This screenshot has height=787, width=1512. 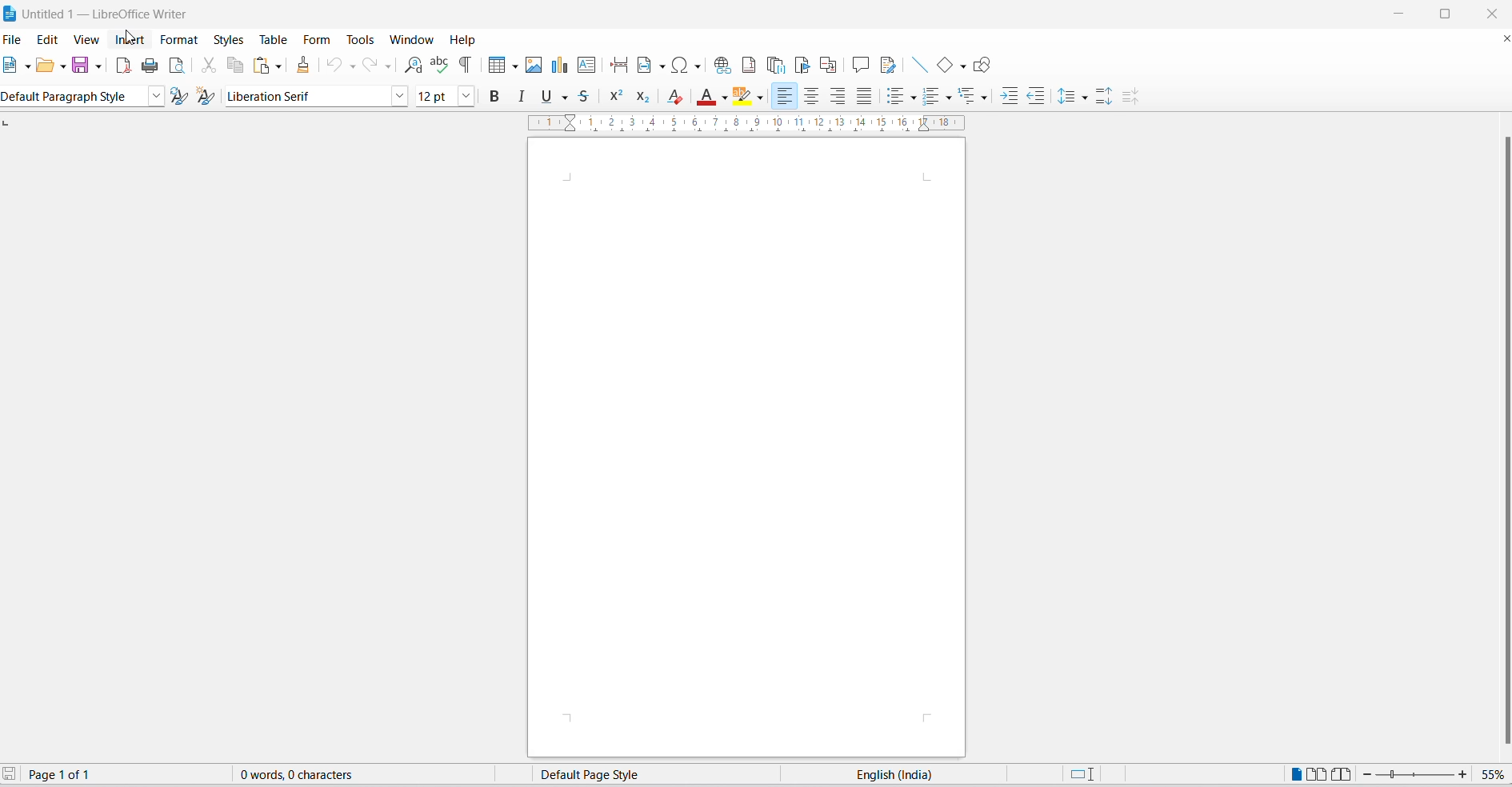 What do you see at coordinates (707, 98) in the screenshot?
I see `font color` at bounding box center [707, 98].